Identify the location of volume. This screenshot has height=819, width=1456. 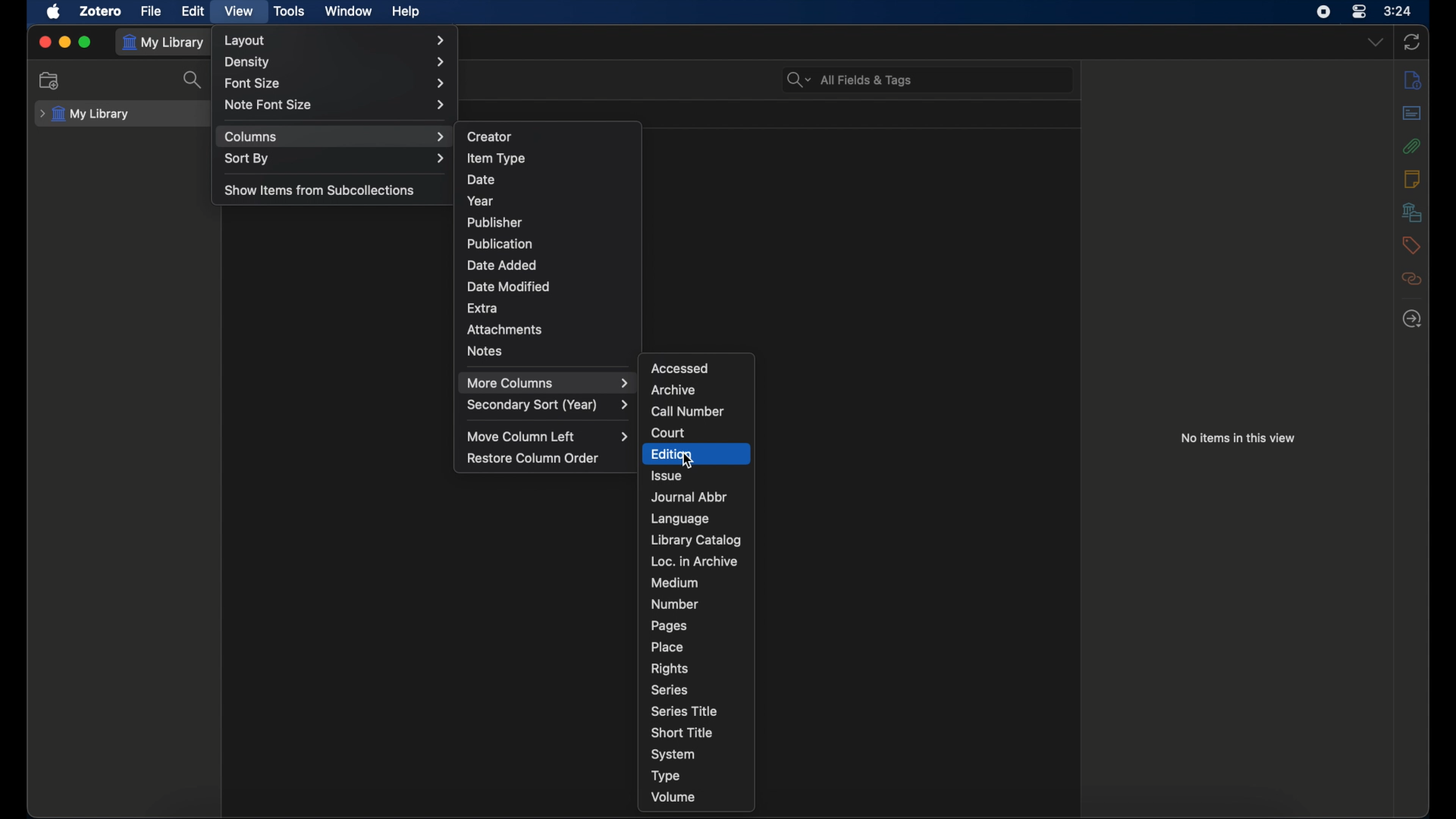
(673, 797).